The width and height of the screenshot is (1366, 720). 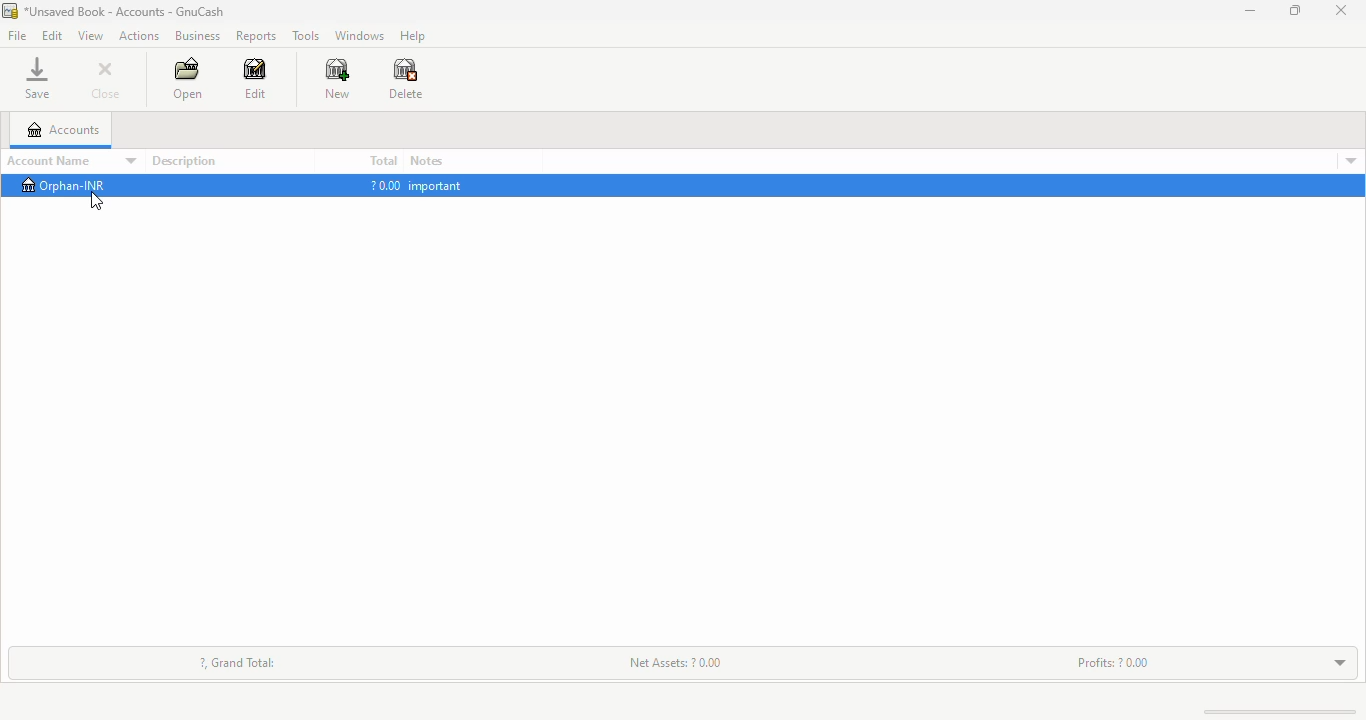 I want to click on reports, so click(x=256, y=37).